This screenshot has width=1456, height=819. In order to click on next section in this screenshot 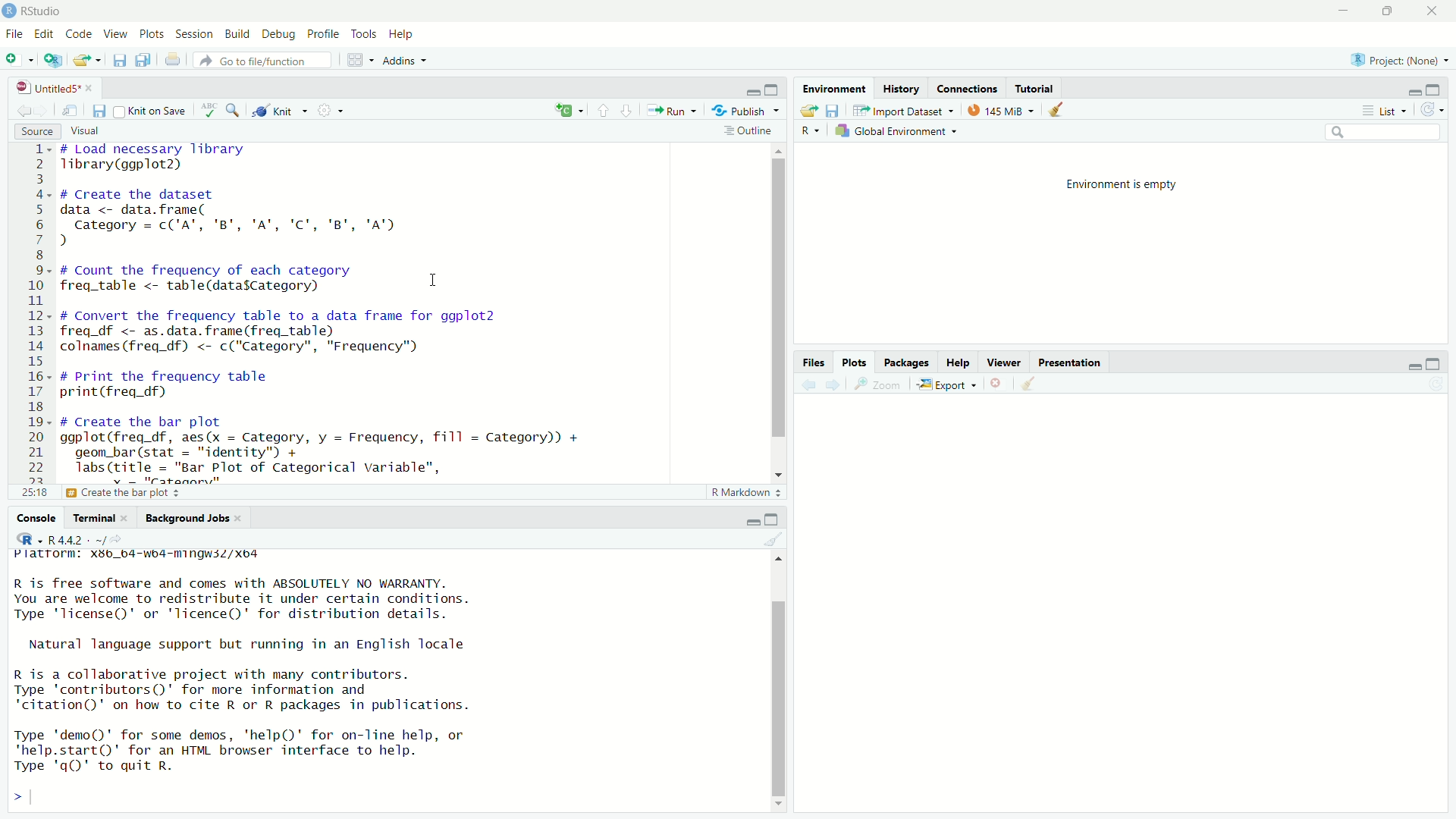, I will do `click(629, 113)`.